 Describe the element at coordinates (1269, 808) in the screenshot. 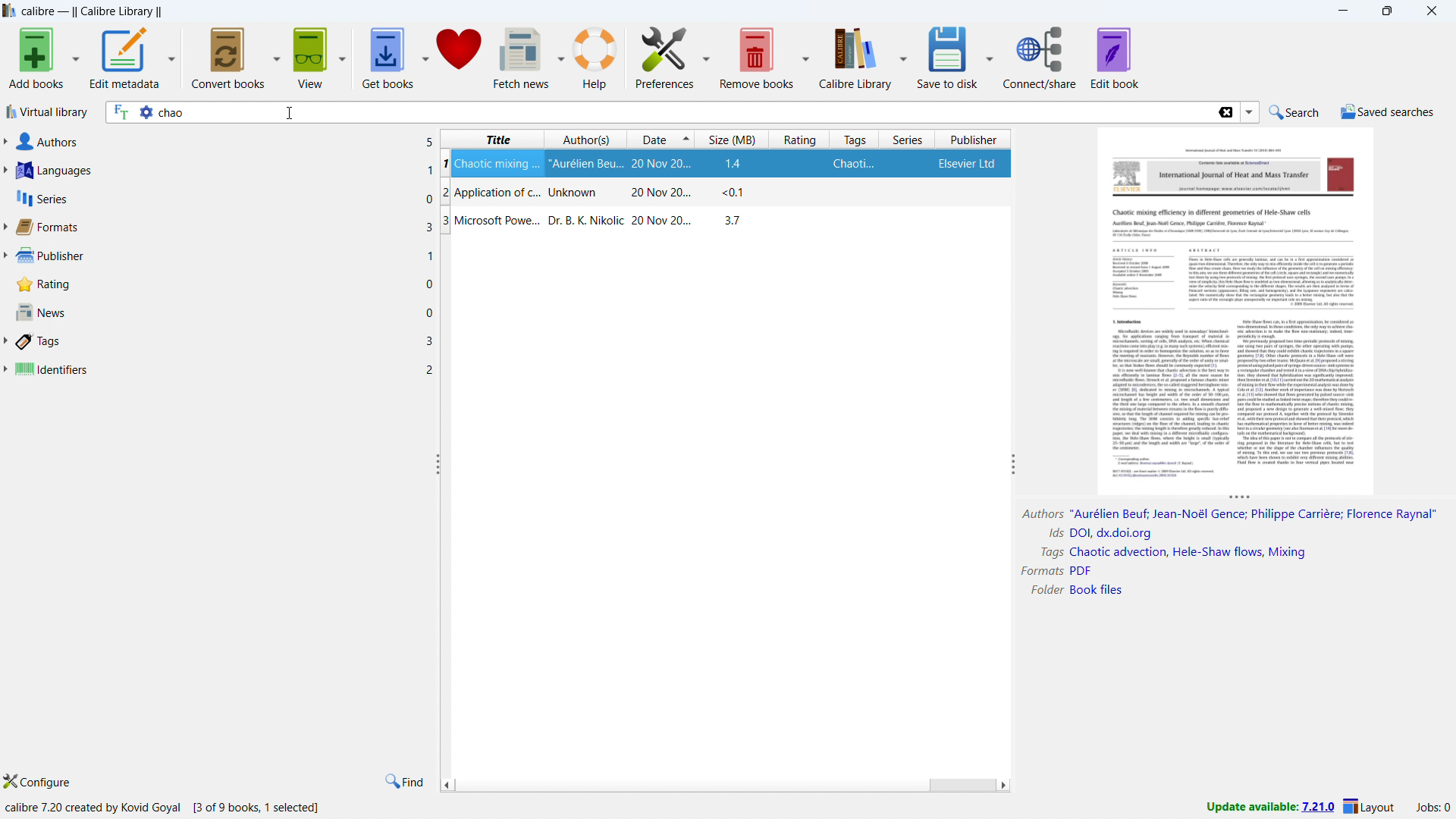

I see `update` at that location.